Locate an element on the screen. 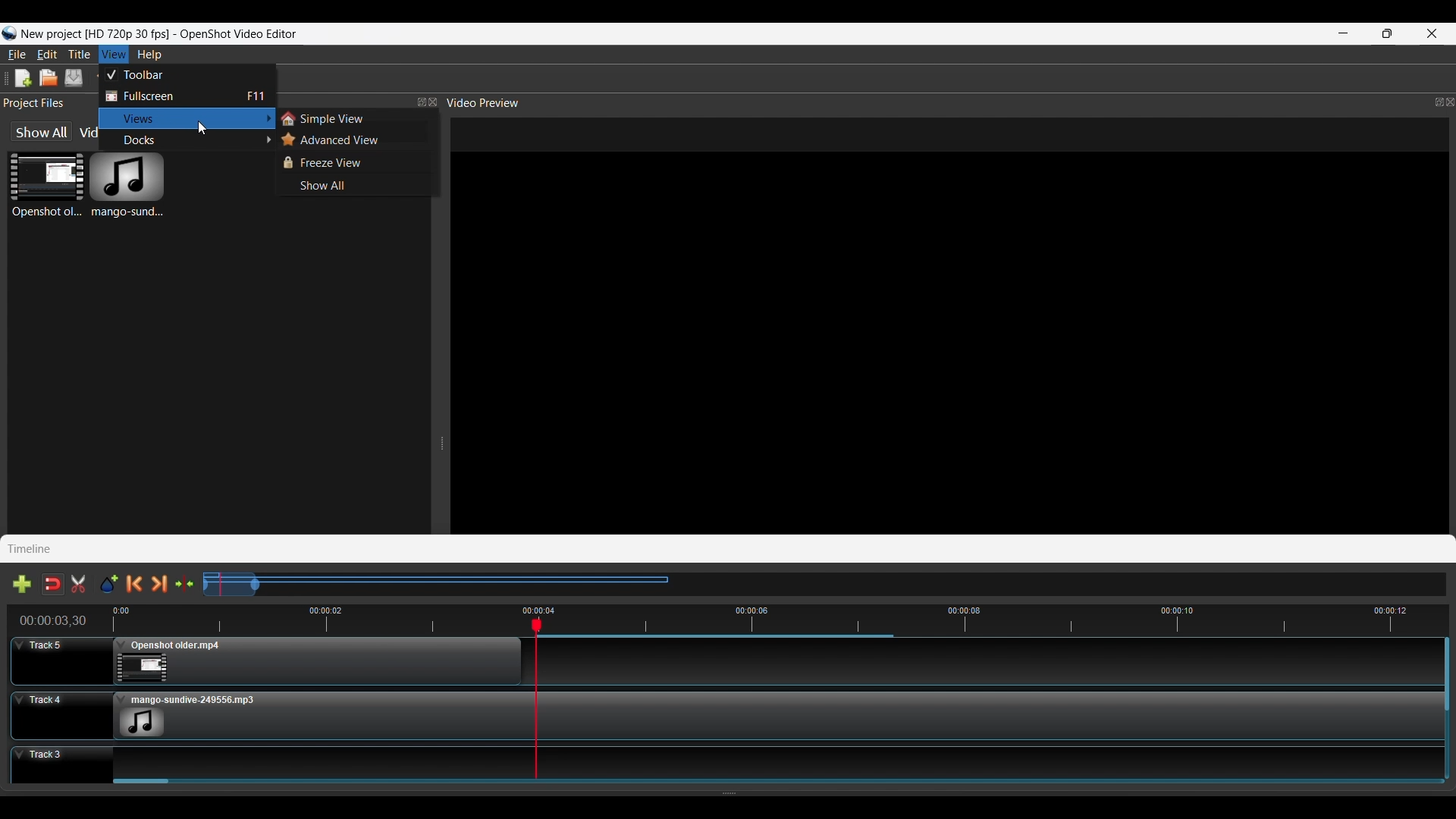  Logo is located at coordinates (151, 33).